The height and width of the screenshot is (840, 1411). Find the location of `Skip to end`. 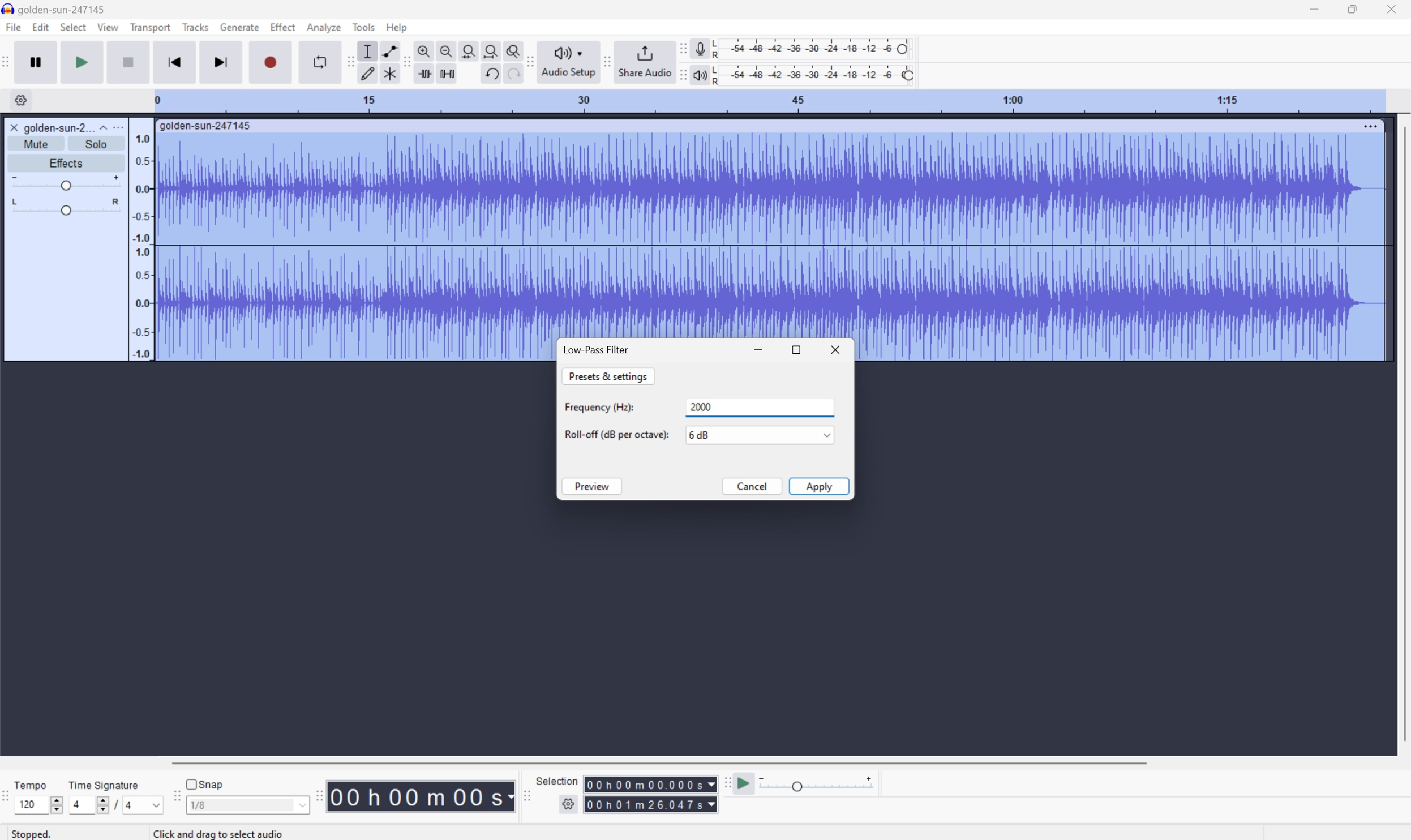

Skip to end is located at coordinates (222, 61).